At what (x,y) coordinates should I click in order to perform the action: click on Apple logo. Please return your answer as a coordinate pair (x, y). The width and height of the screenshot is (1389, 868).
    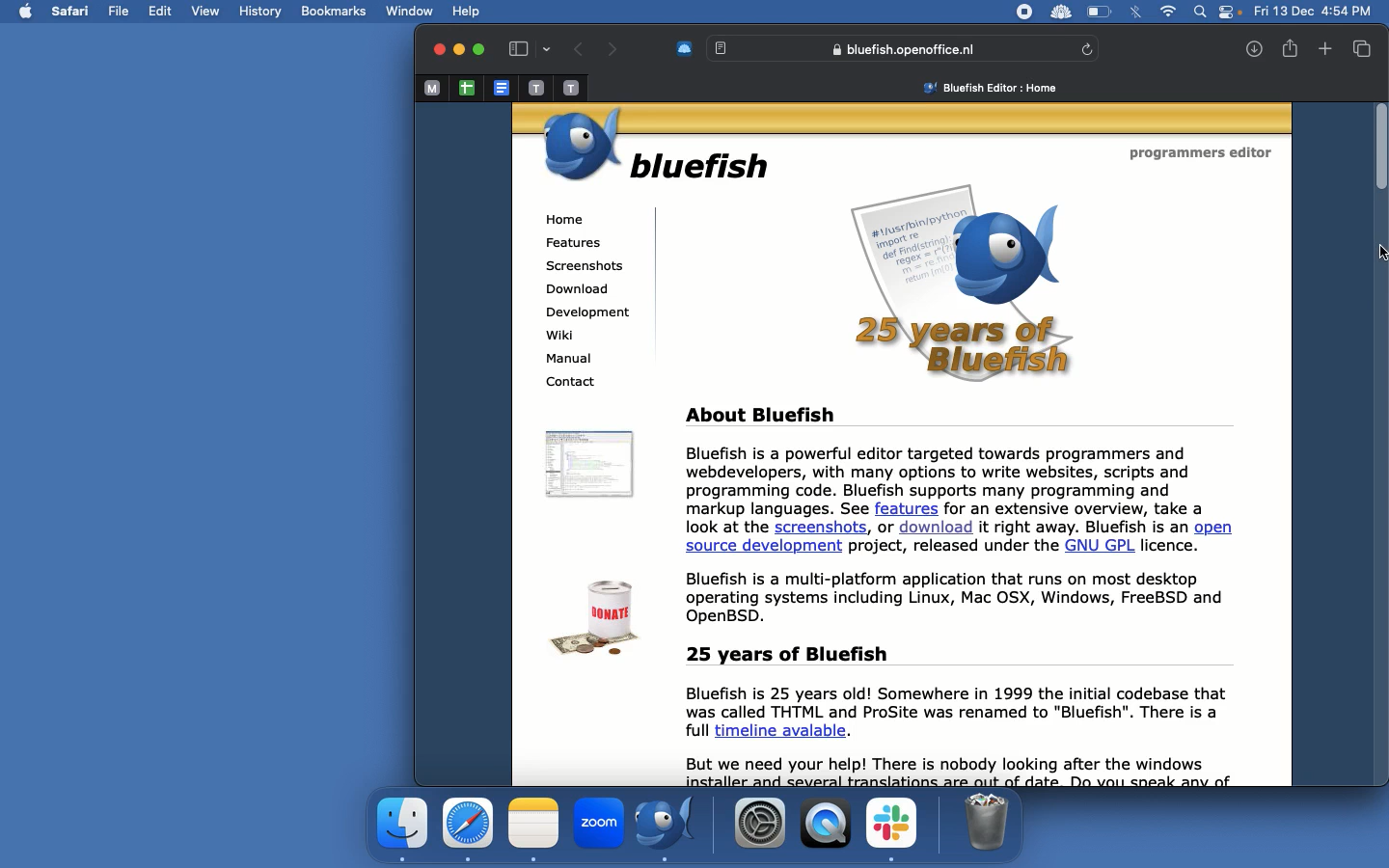
    Looking at the image, I should click on (26, 11).